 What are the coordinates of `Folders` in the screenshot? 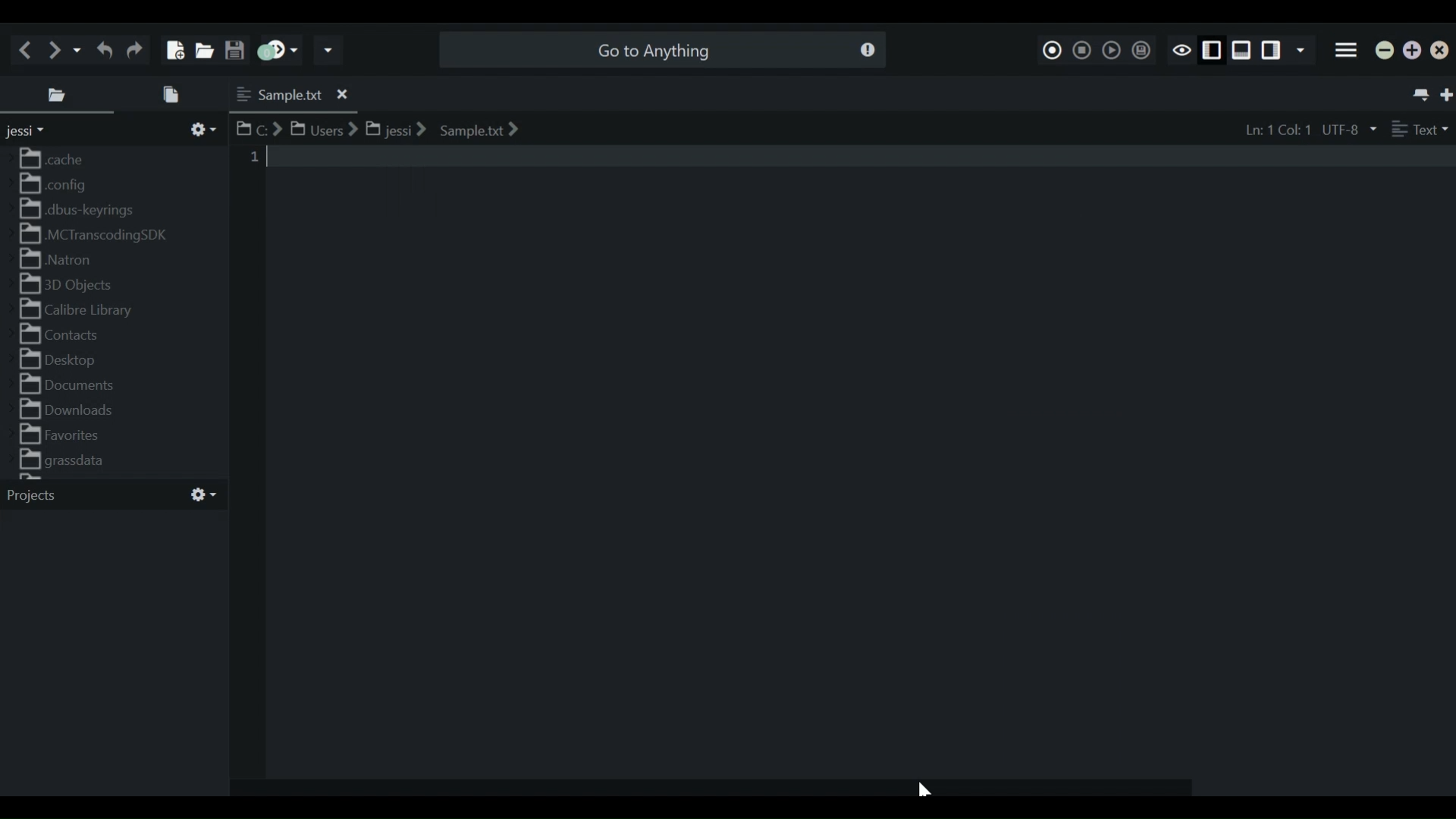 It's located at (102, 313).